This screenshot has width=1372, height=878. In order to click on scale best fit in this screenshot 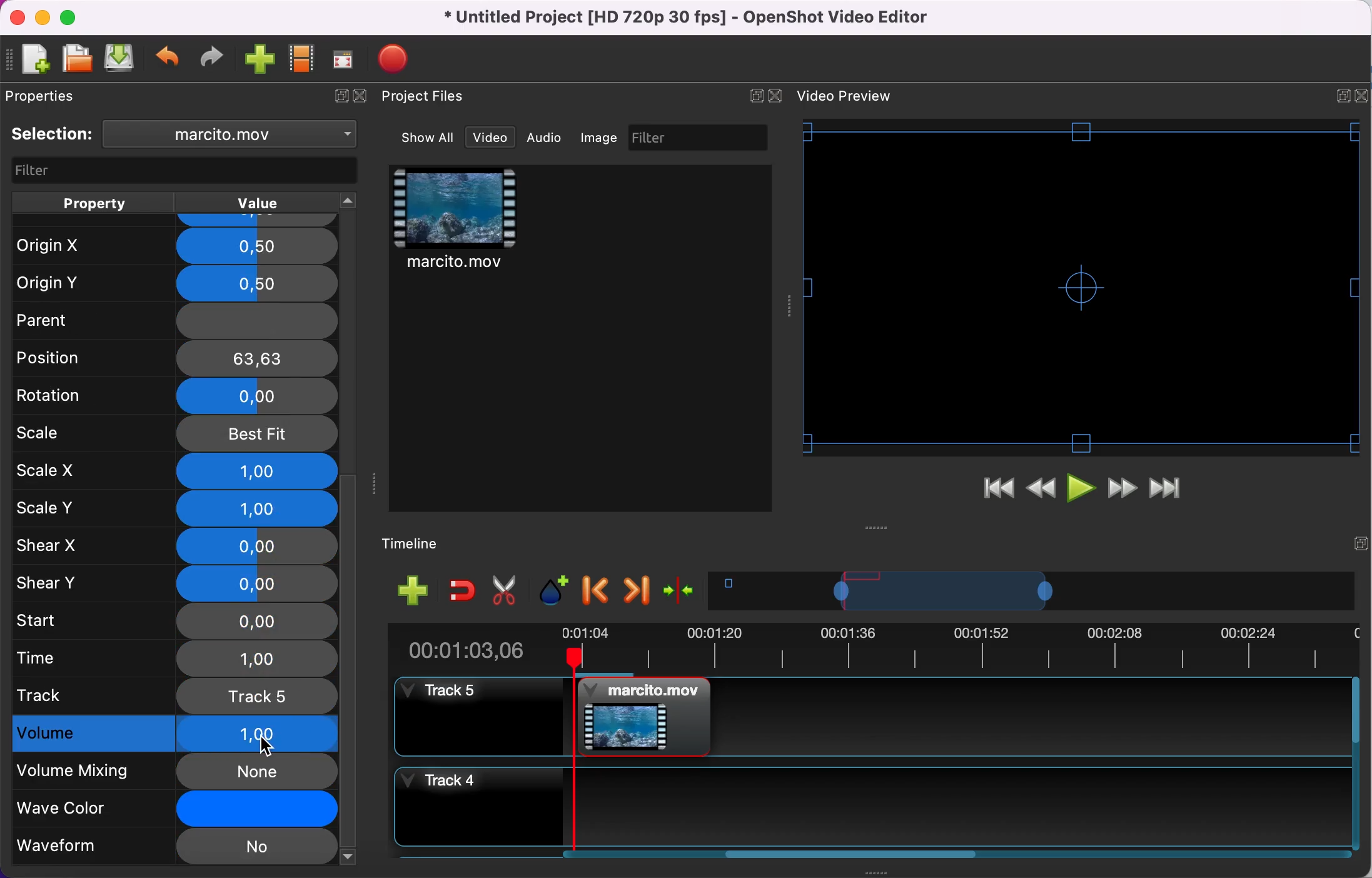, I will do `click(176, 435)`.